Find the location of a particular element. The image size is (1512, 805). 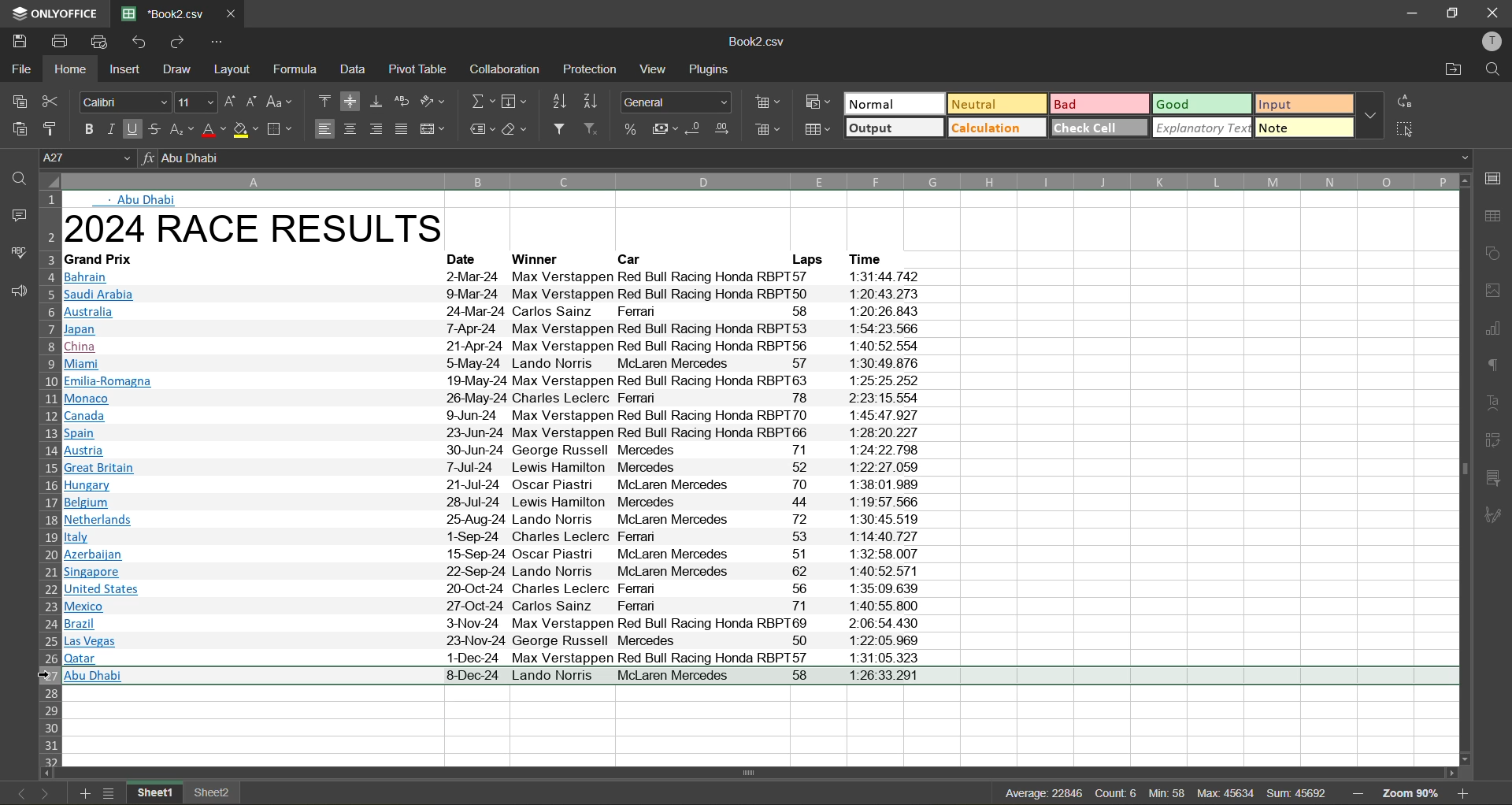

text info is located at coordinates (502, 467).